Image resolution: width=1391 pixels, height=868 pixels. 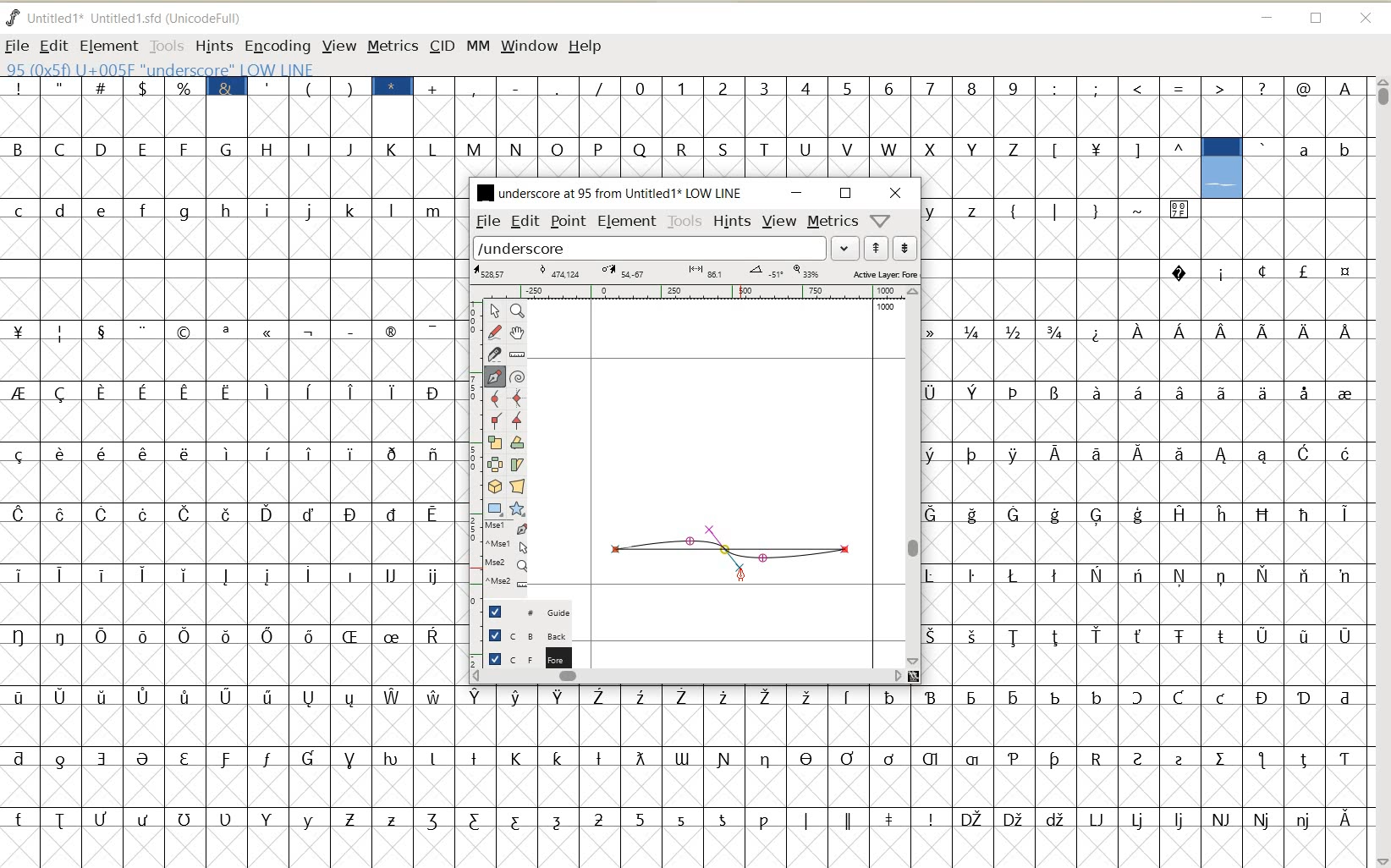 What do you see at coordinates (518, 420) in the screenshot?
I see `Add a corner point` at bounding box center [518, 420].